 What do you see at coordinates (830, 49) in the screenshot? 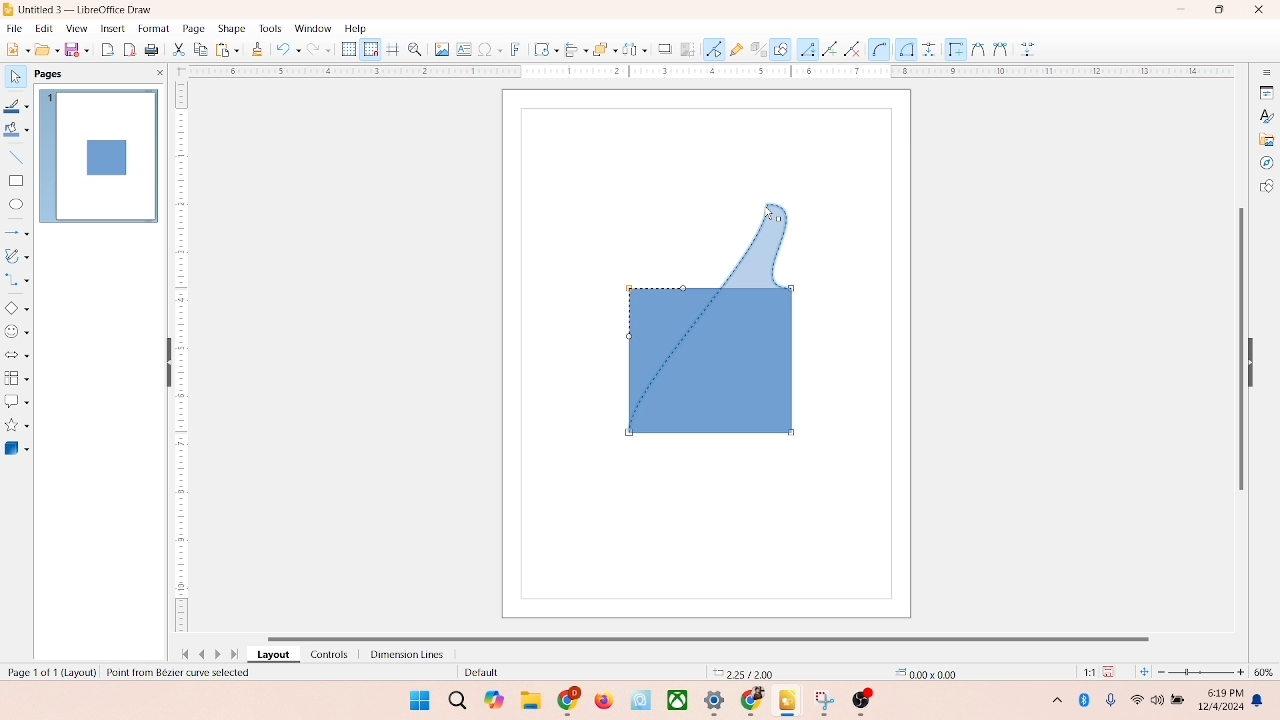
I see `Freeform line tool` at bounding box center [830, 49].